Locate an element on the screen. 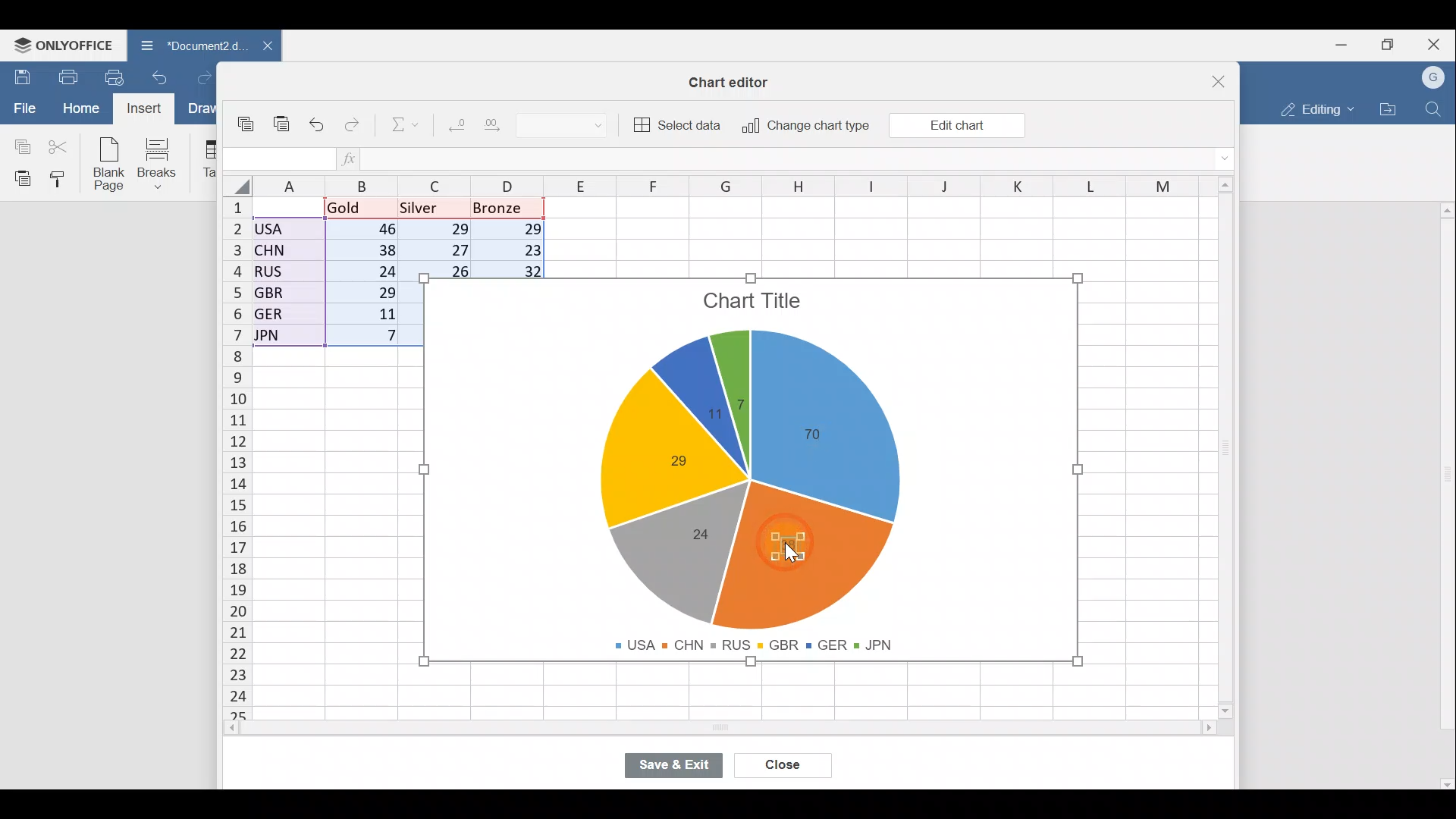 This screenshot has width=1456, height=819. Blank page is located at coordinates (105, 162).